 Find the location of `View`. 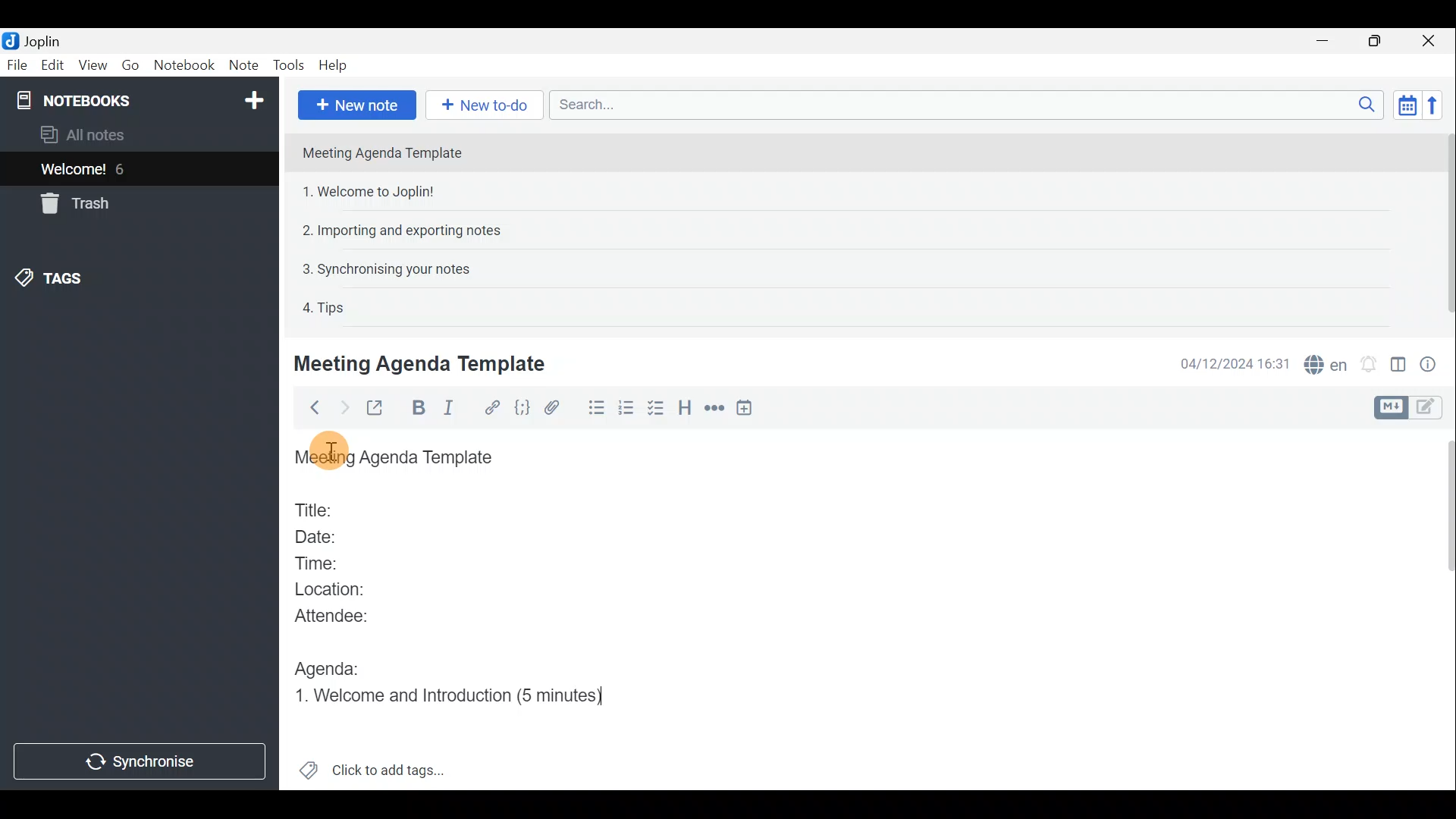

View is located at coordinates (90, 67).